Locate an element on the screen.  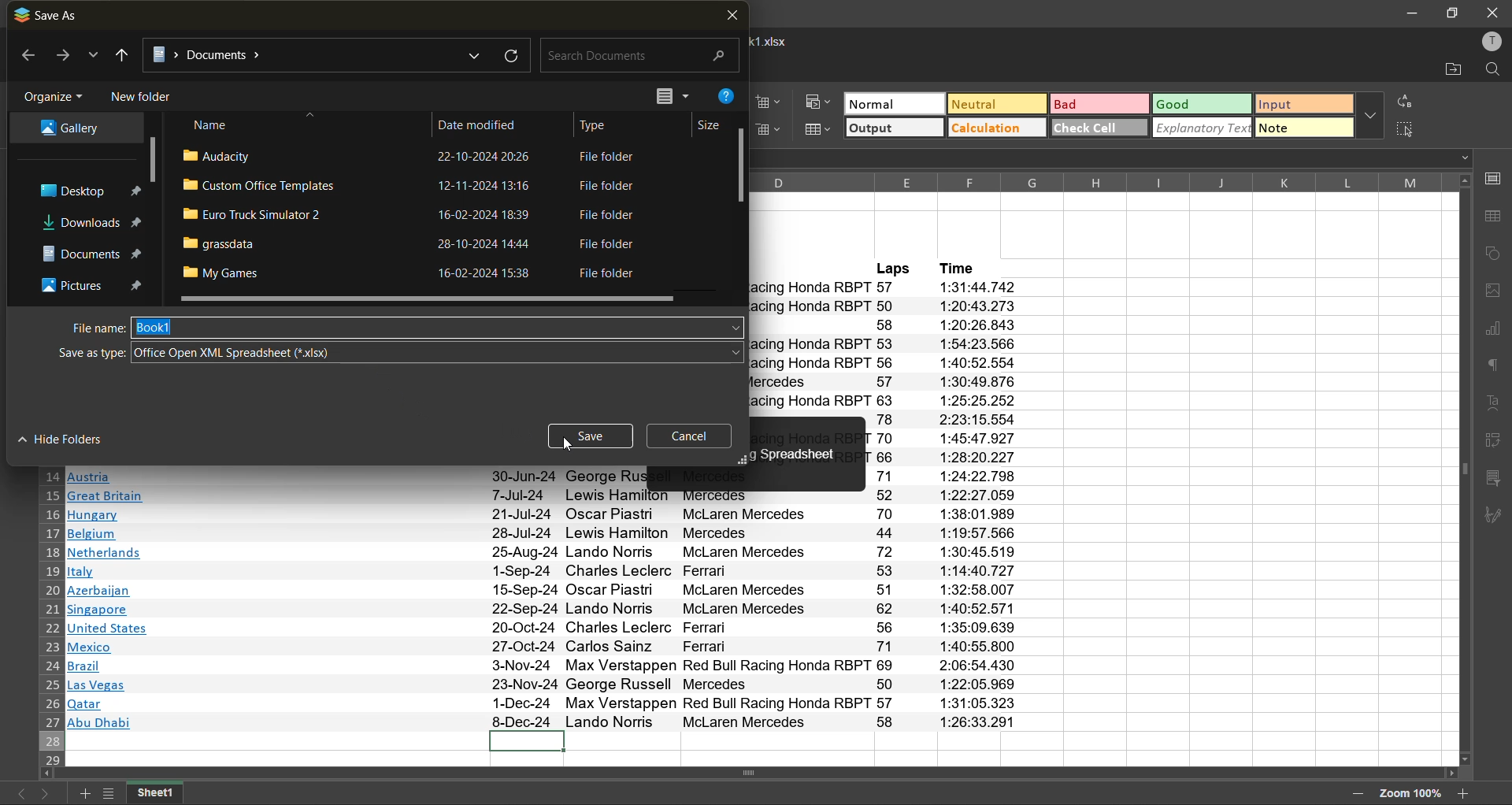
12-11-2024 13:16 is located at coordinates (479, 186).